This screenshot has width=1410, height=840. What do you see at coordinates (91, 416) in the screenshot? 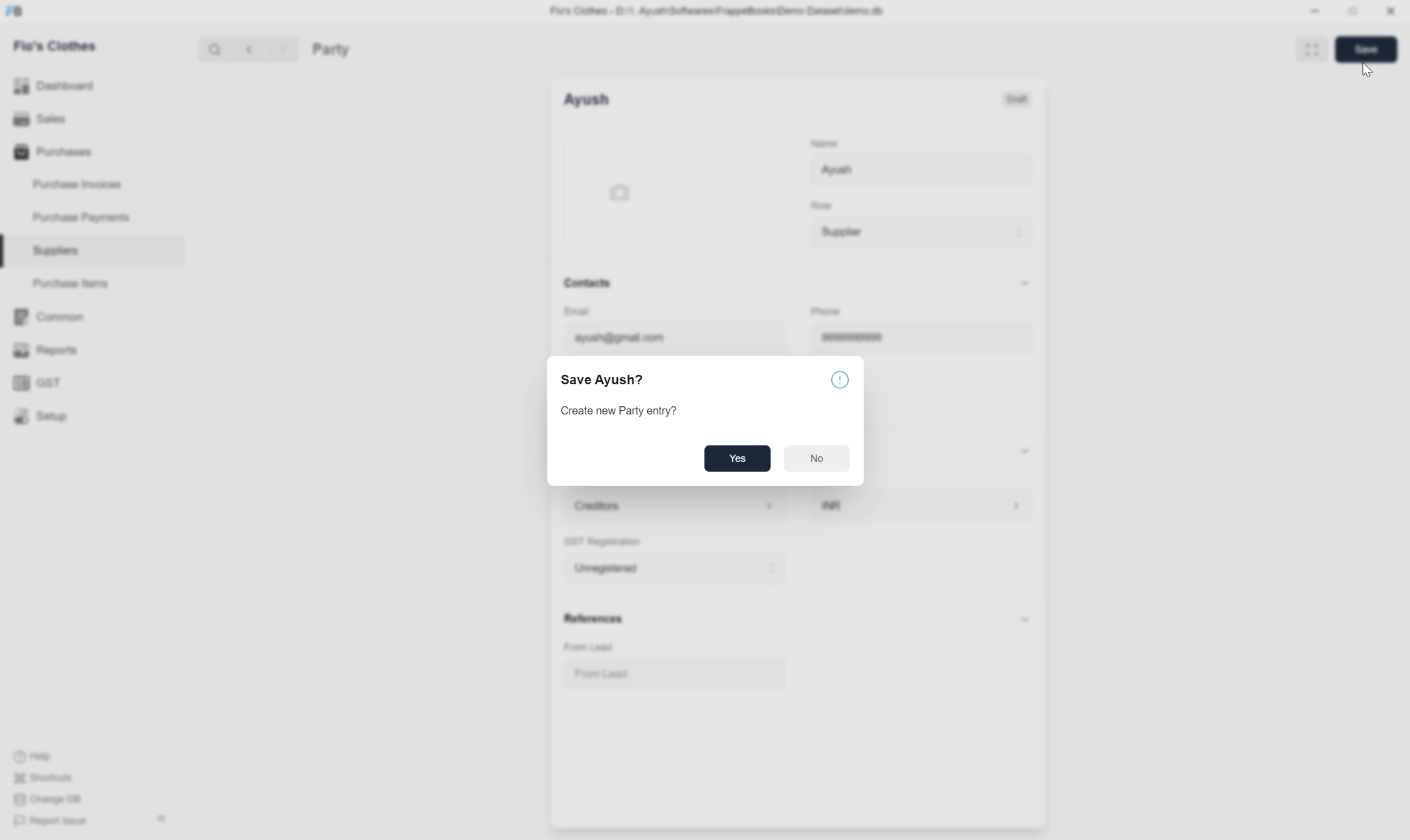
I see `Setup` at bounding box center [91, 416].